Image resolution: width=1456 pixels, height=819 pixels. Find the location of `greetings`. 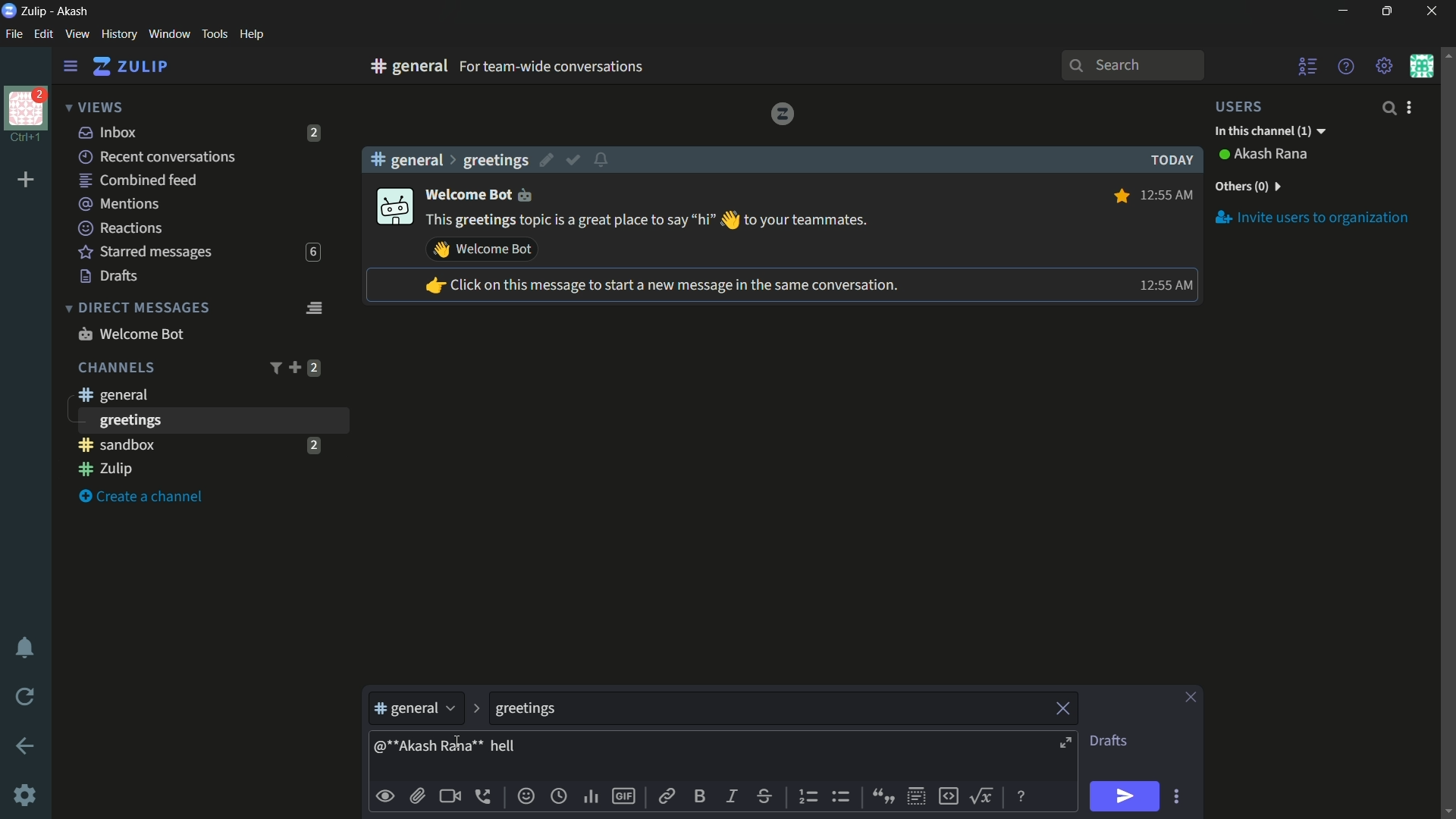

greetings is located at coordinates (495, 160).